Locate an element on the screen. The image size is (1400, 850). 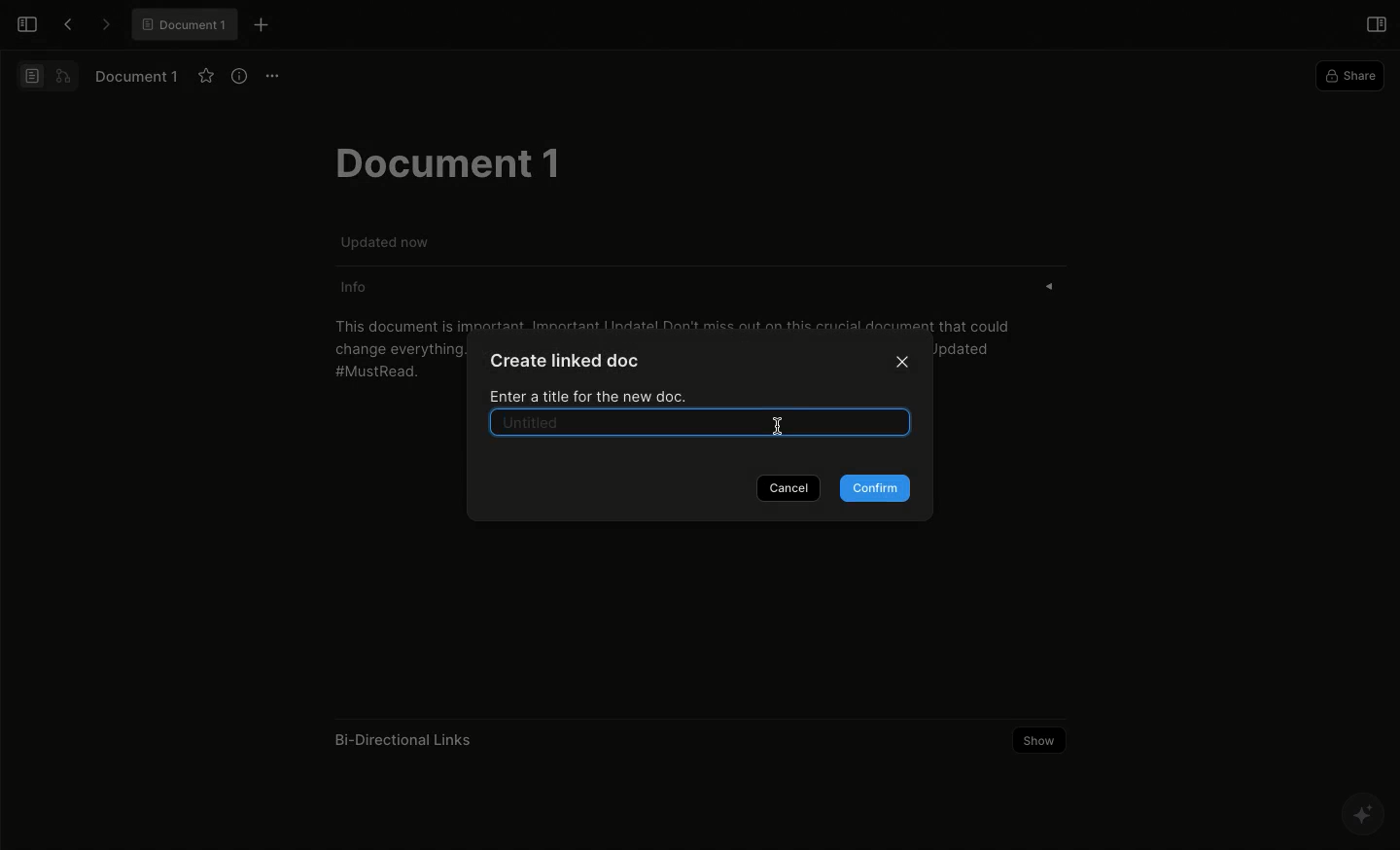
® Document 1 is located at coordinates (184, 24).